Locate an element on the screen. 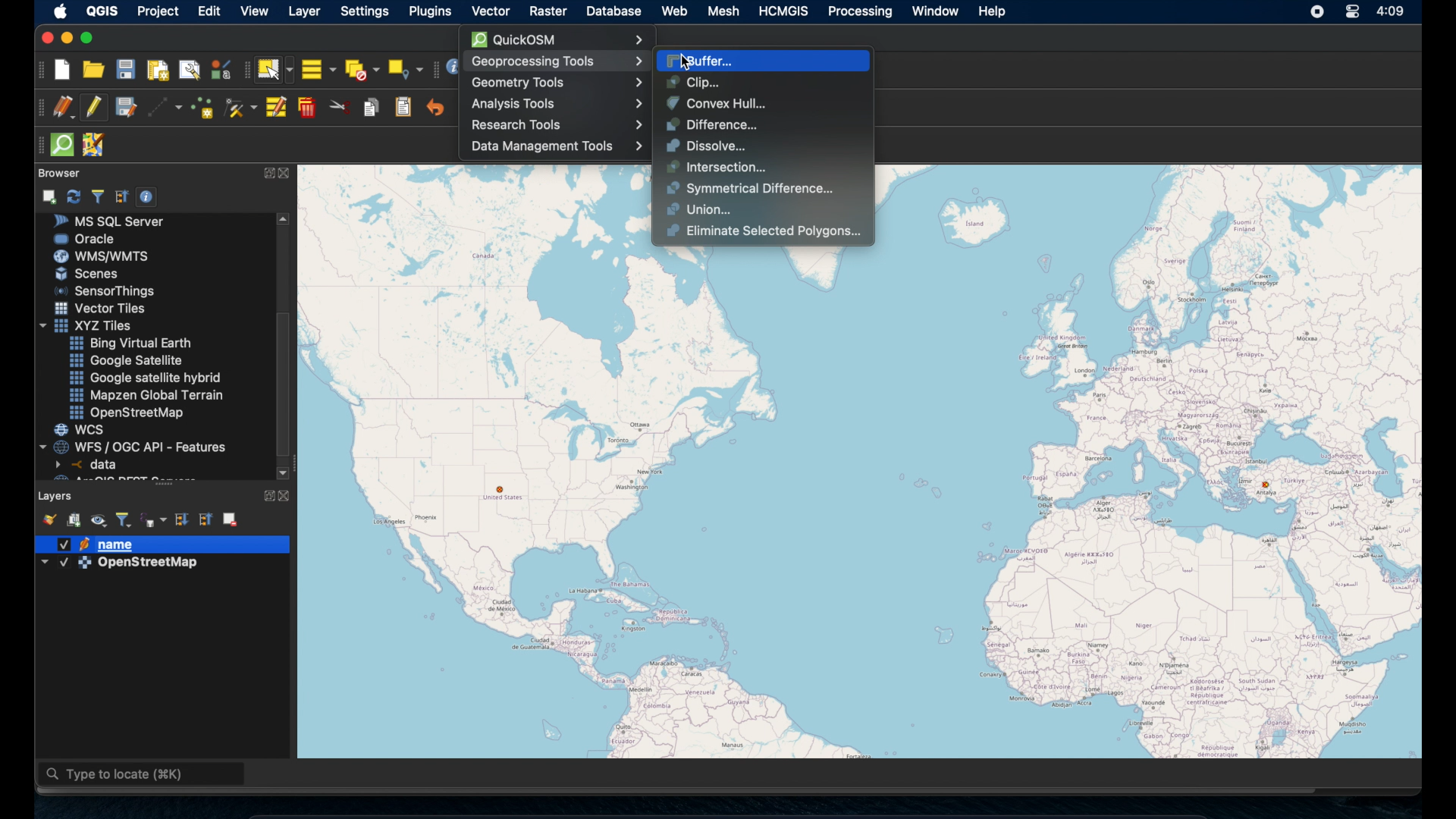 This screenshot has height=819, width=1456. vector tiles is located at coordinates (101, 308).